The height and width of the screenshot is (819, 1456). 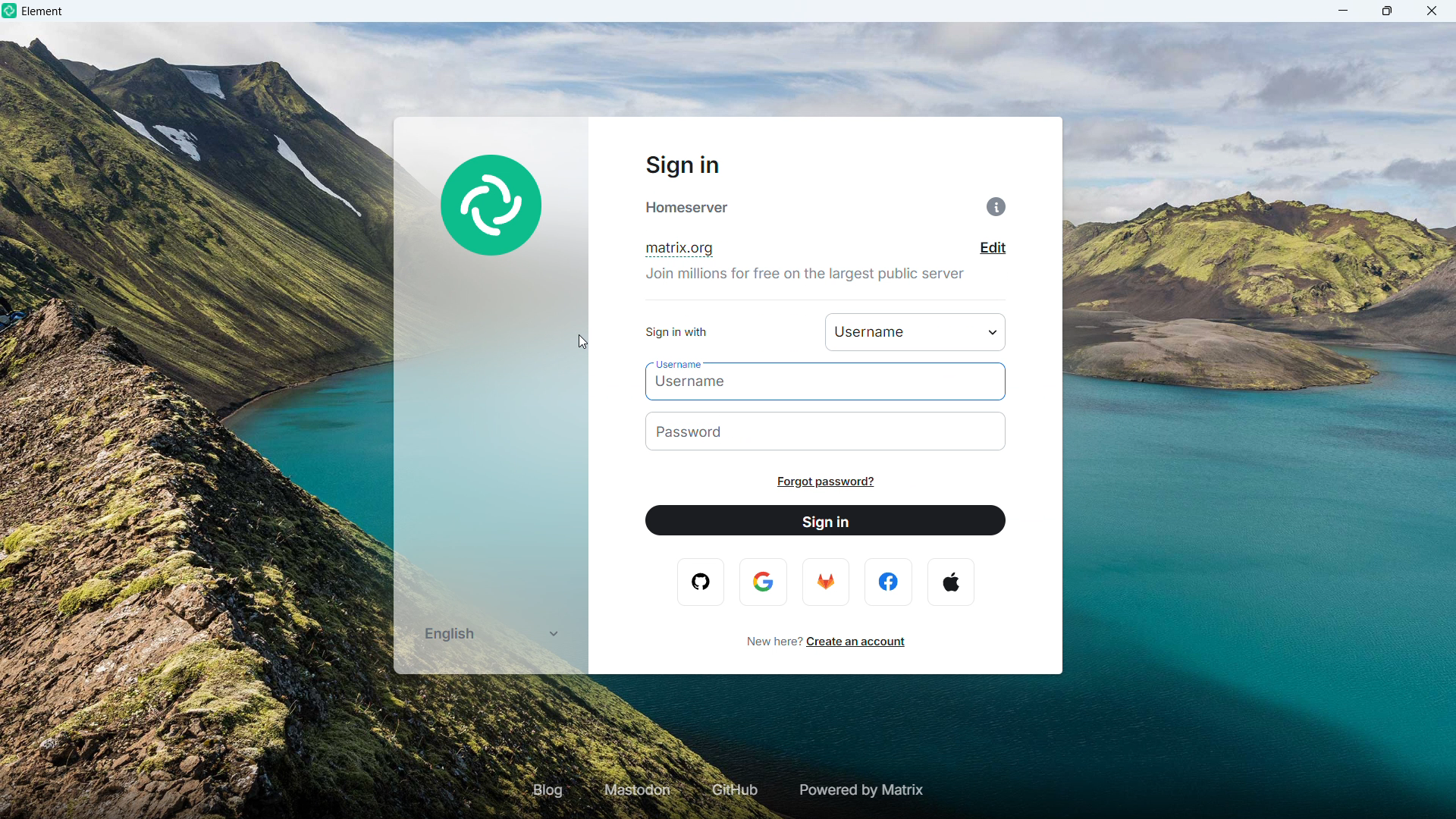 What do you see at coordinates (676, 334) in the screenshot?
I see `sign in with` at bounding box center [676, 334].